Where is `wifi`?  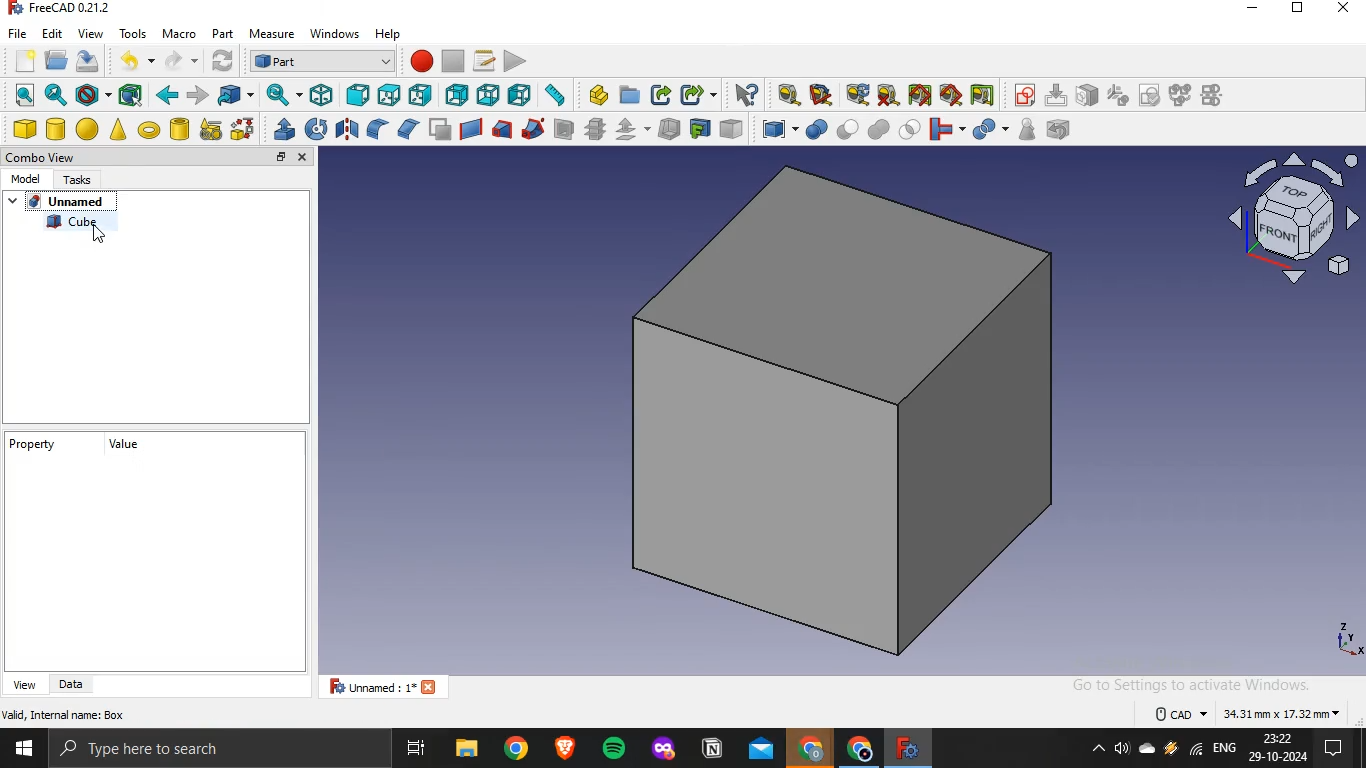
wifi is located at coordinates (1196, 752).